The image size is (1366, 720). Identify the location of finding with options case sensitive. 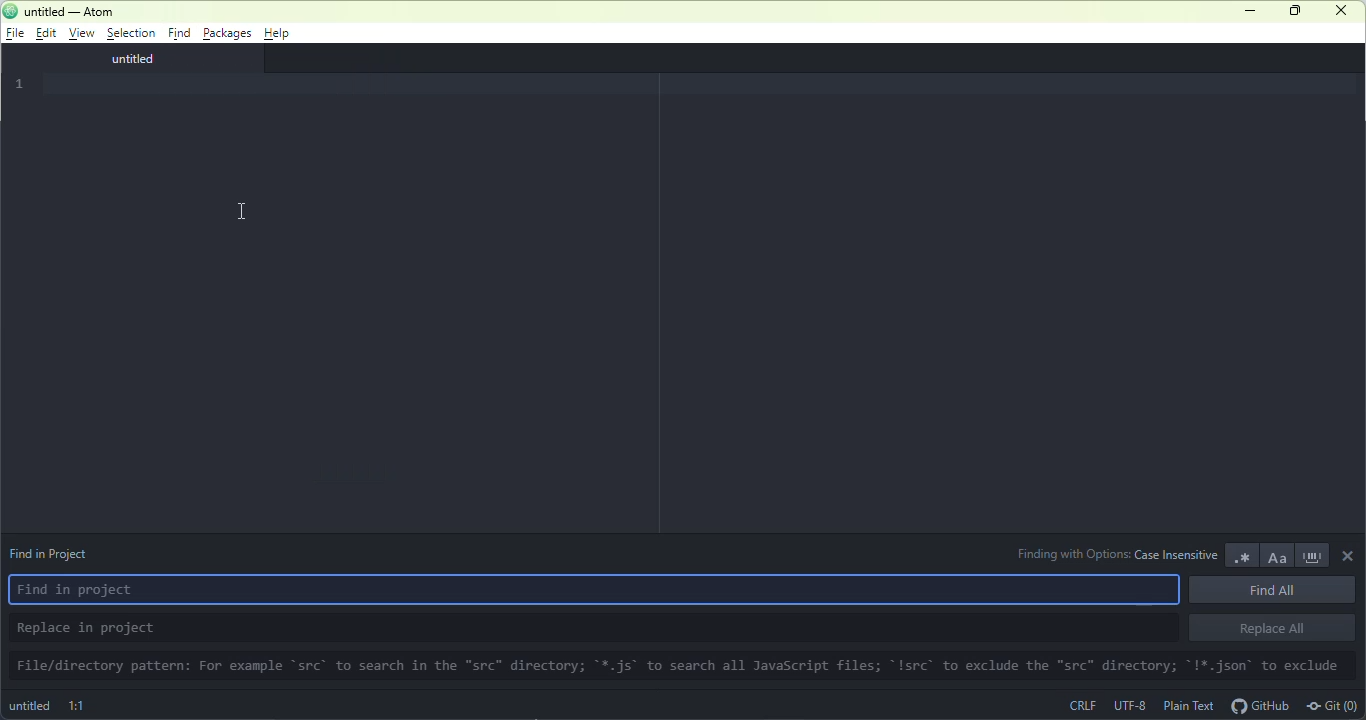
(1116, 552).